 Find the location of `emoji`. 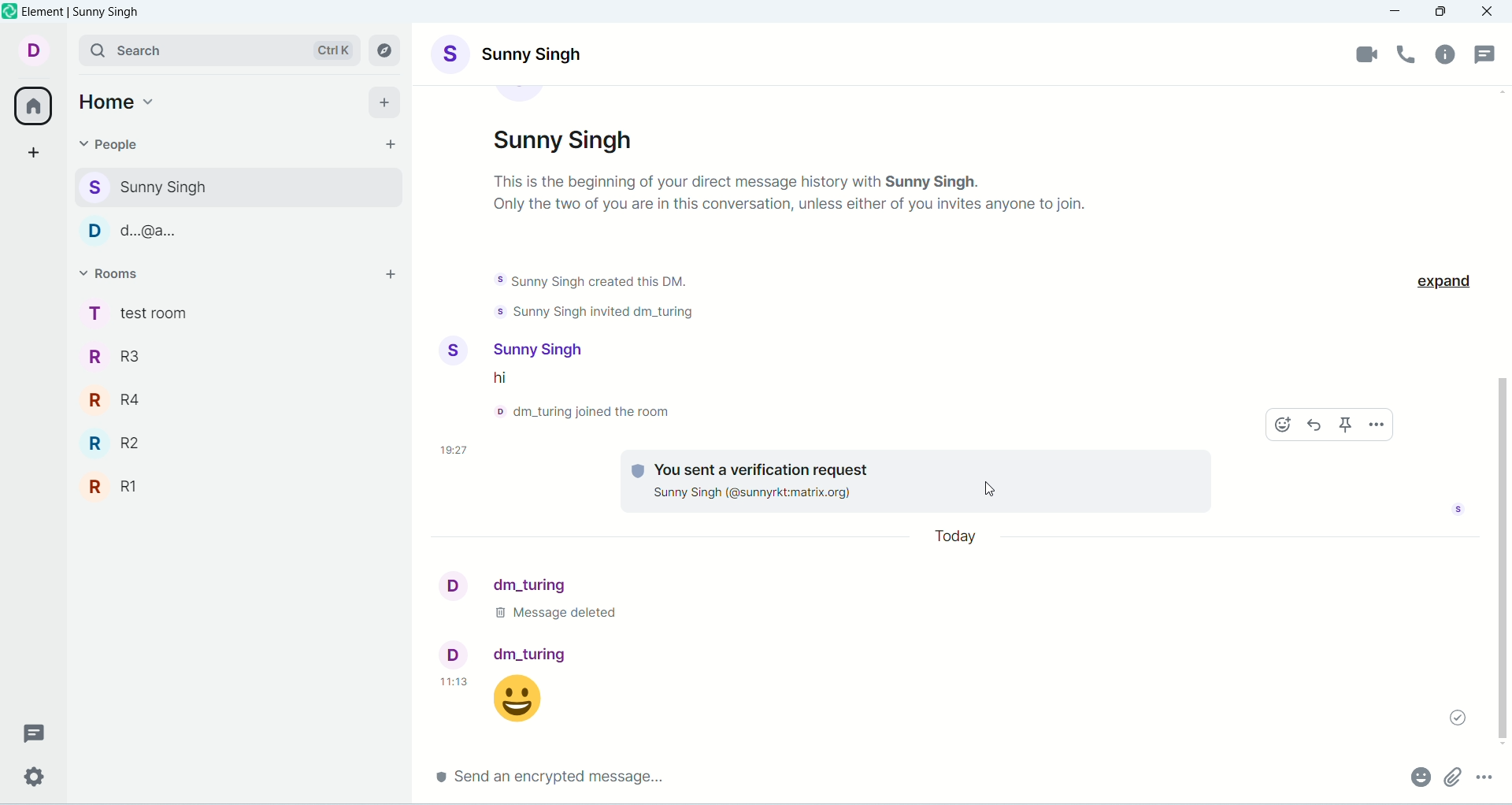

emoji is located at coordinates (1282, 425).